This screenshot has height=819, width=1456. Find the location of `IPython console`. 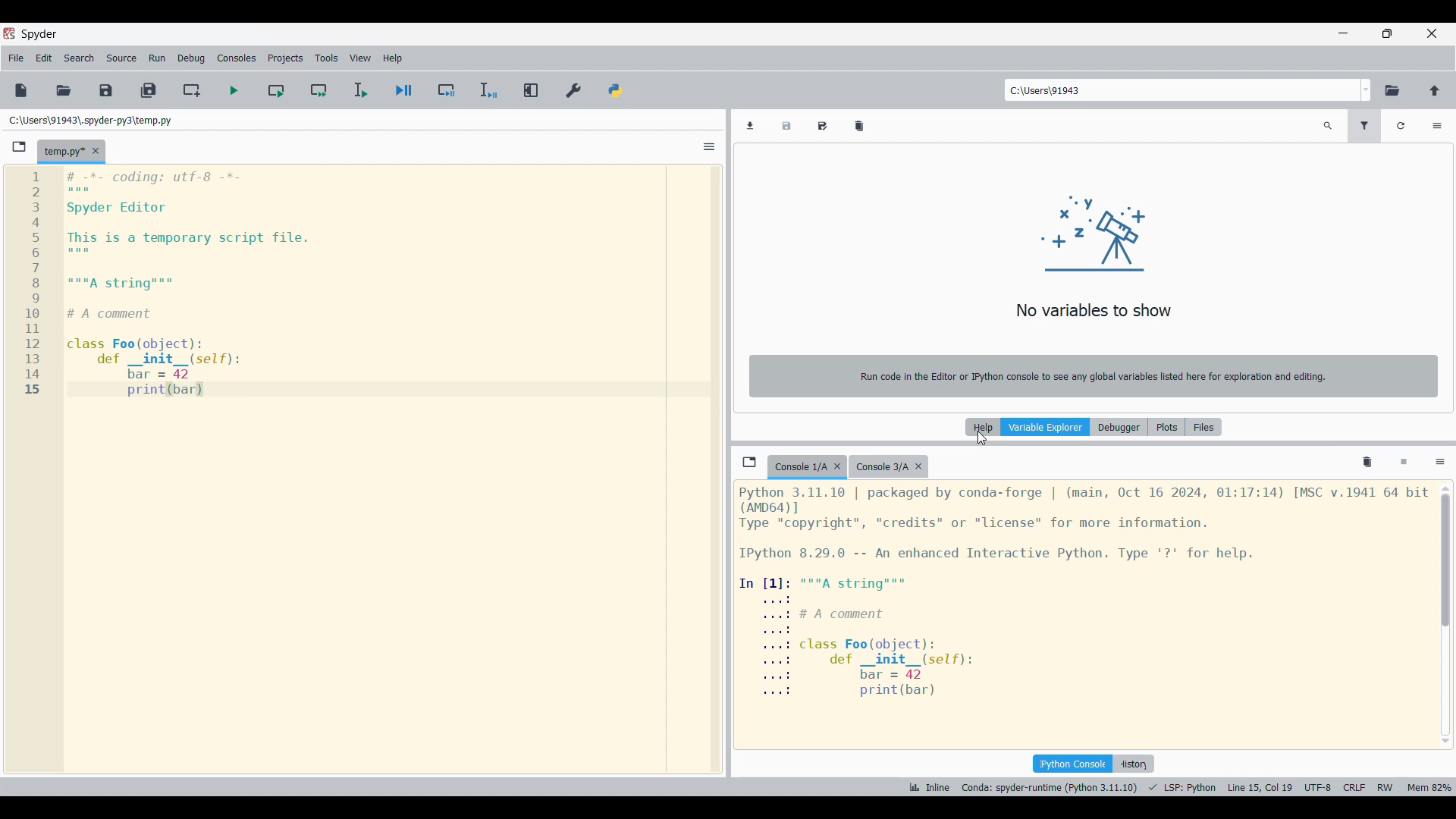

IPython console is located at coordinates (1071, 764).